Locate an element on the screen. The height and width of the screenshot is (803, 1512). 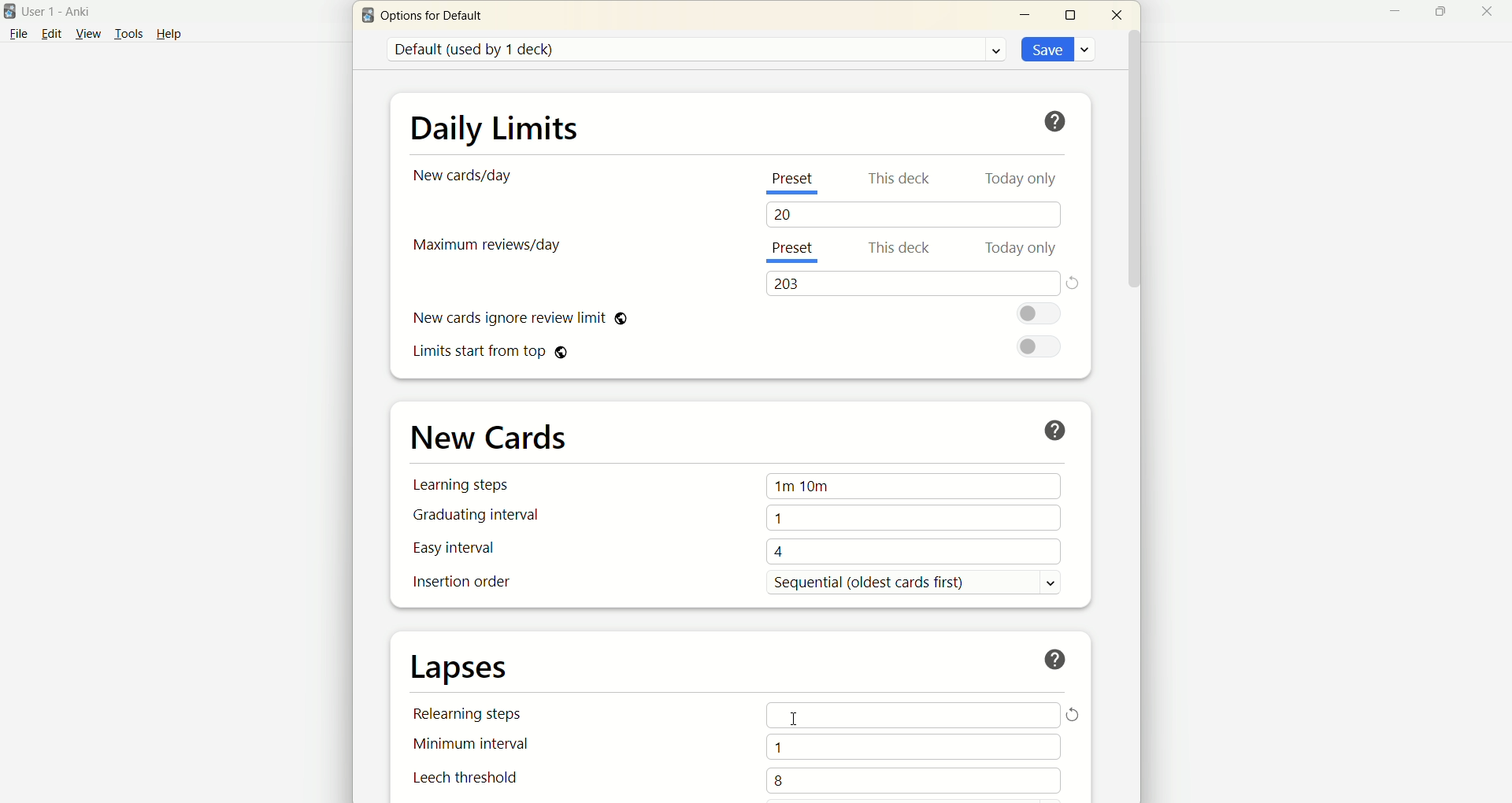
lapses is located at coordinates (461, 669).